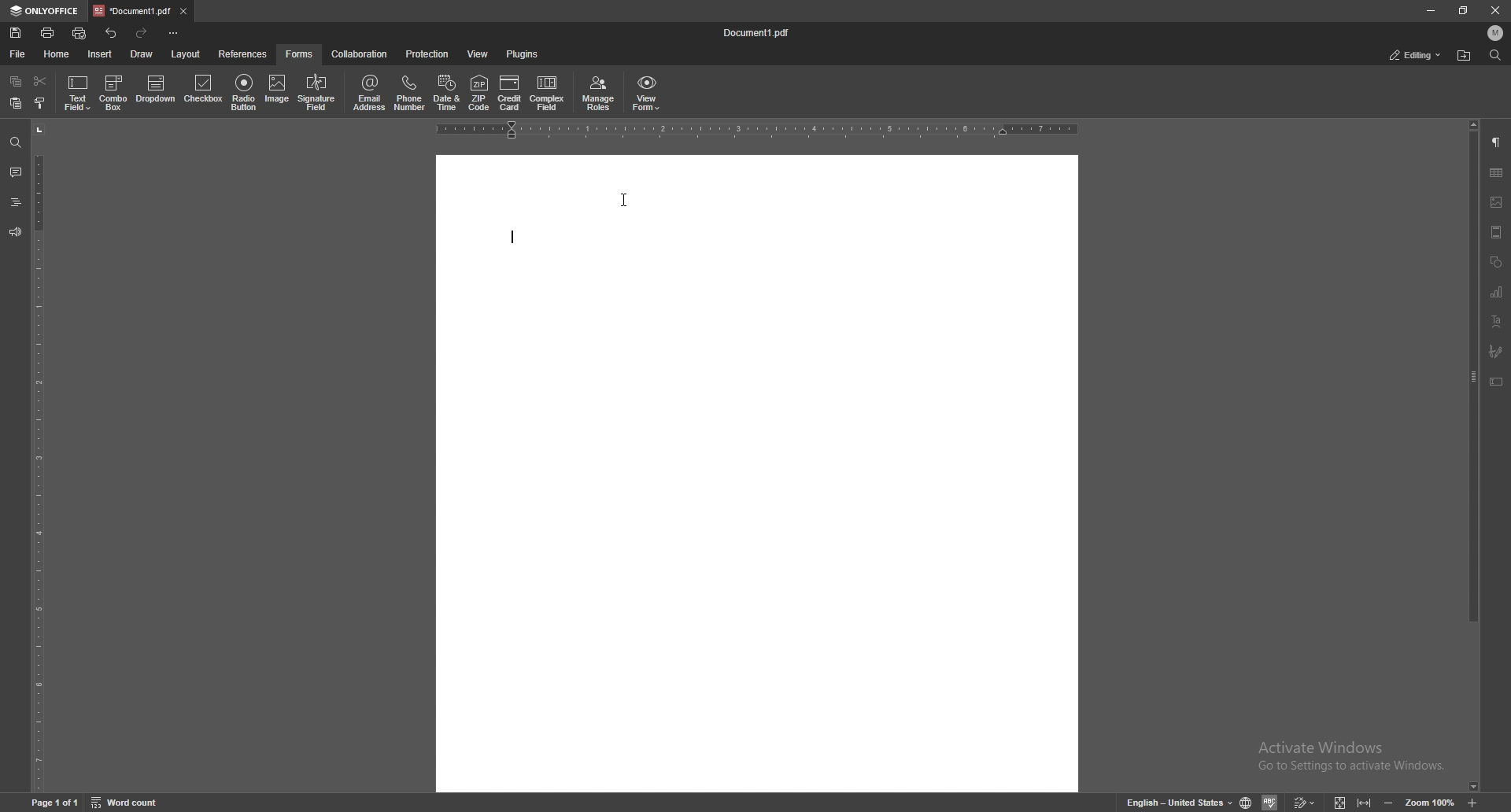 The height and width of the screenshot is (812, 1511). What do you see at coordinates (46, 9) in the screenshot?
I see `only office` at bounding box center [46, 9].